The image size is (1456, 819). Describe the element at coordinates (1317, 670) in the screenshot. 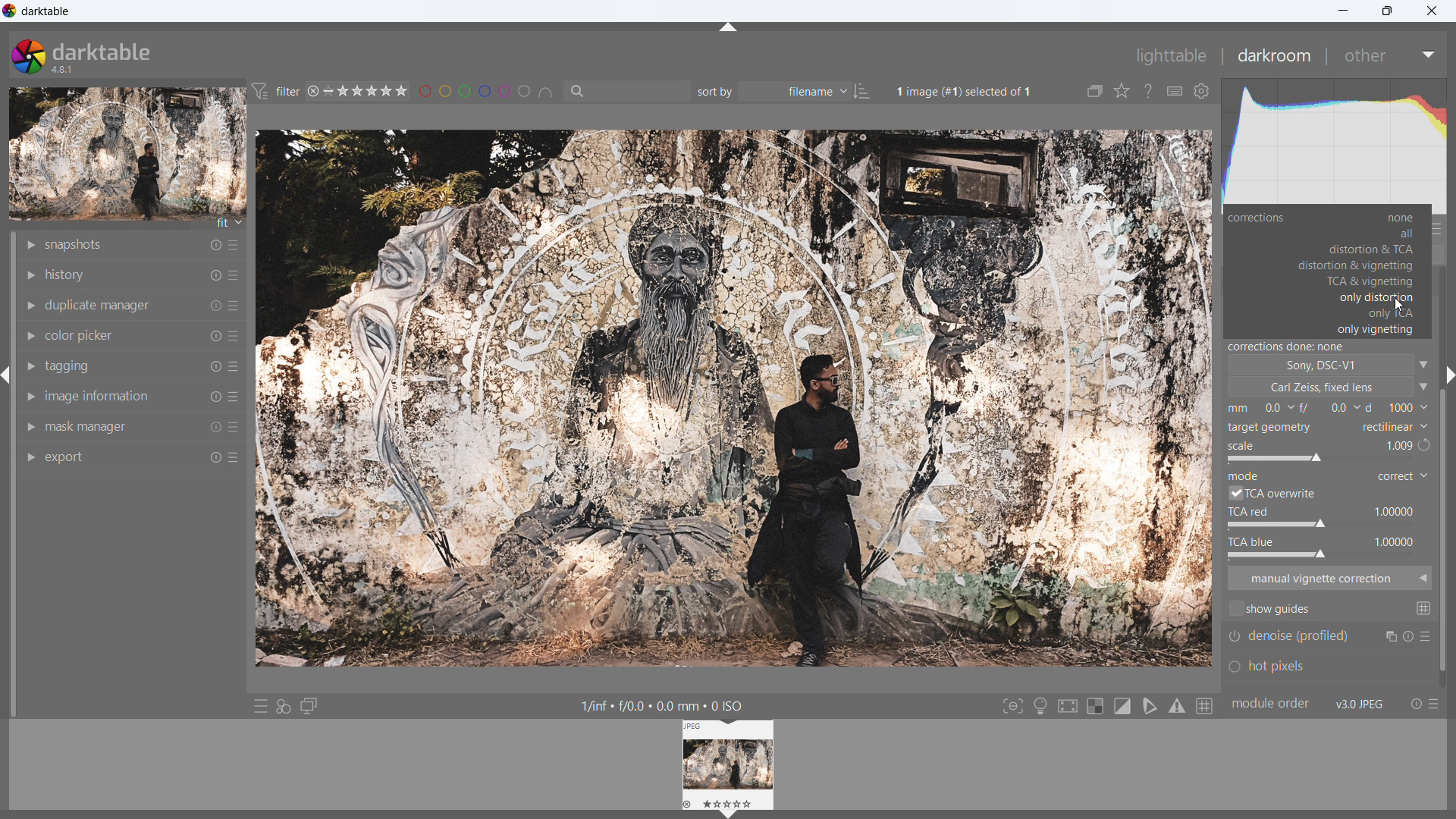

I see `hot pixels` at that location.